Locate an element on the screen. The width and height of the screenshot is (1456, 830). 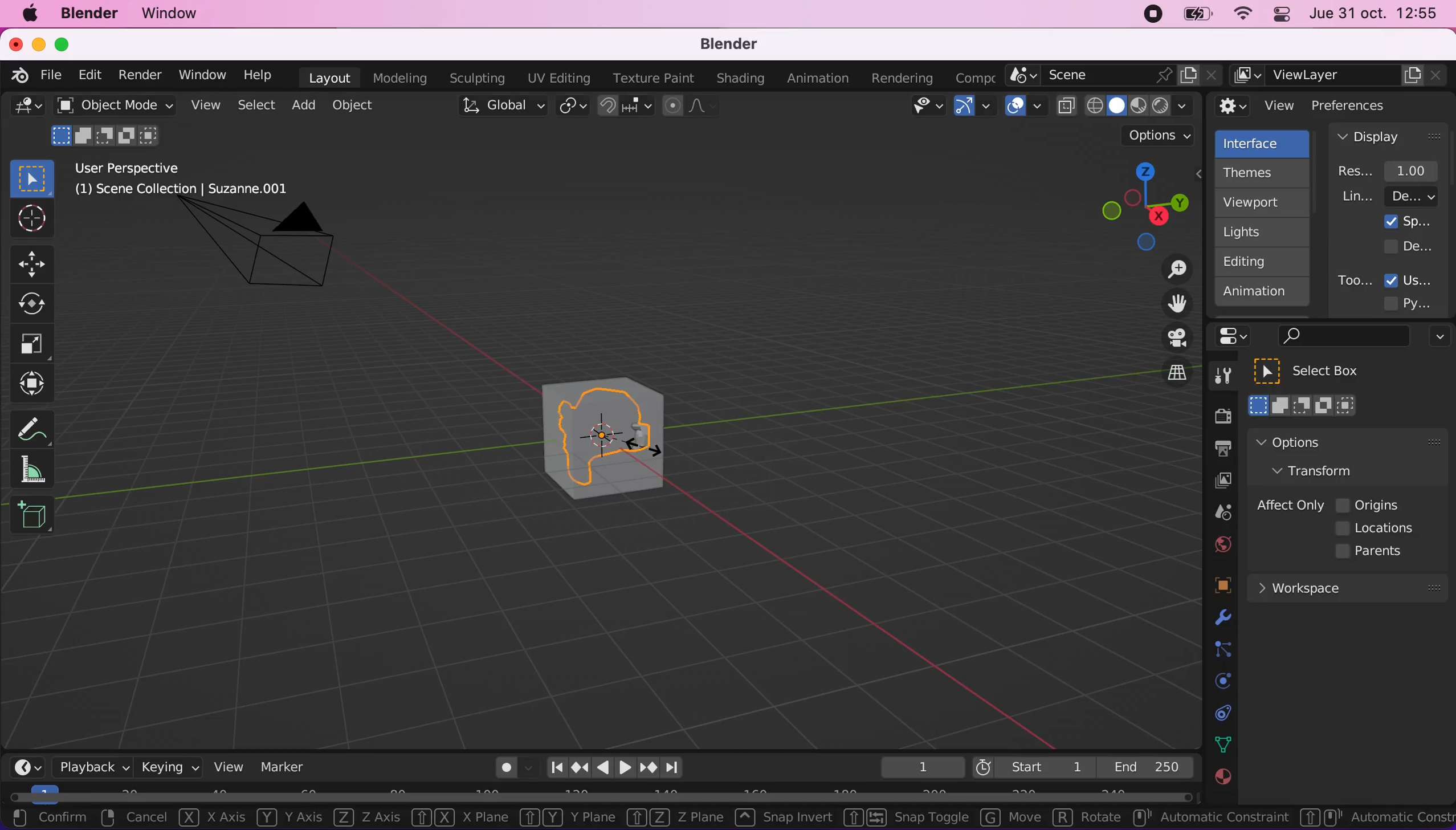
line width is located at coordinates (1389, 196).